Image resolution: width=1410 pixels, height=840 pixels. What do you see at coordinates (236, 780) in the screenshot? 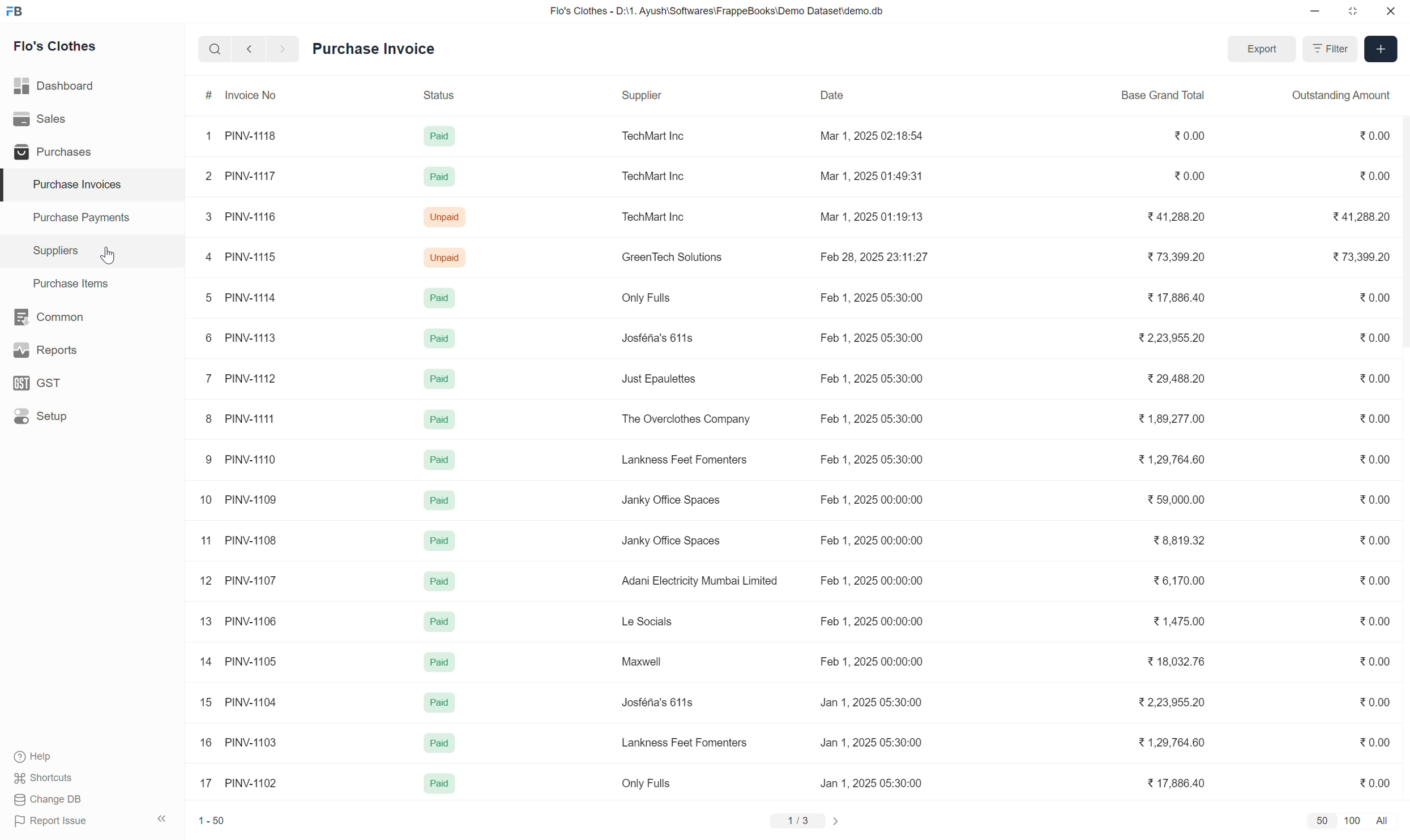
I see `17 PINV-1102` at bounding box center [236, 780].